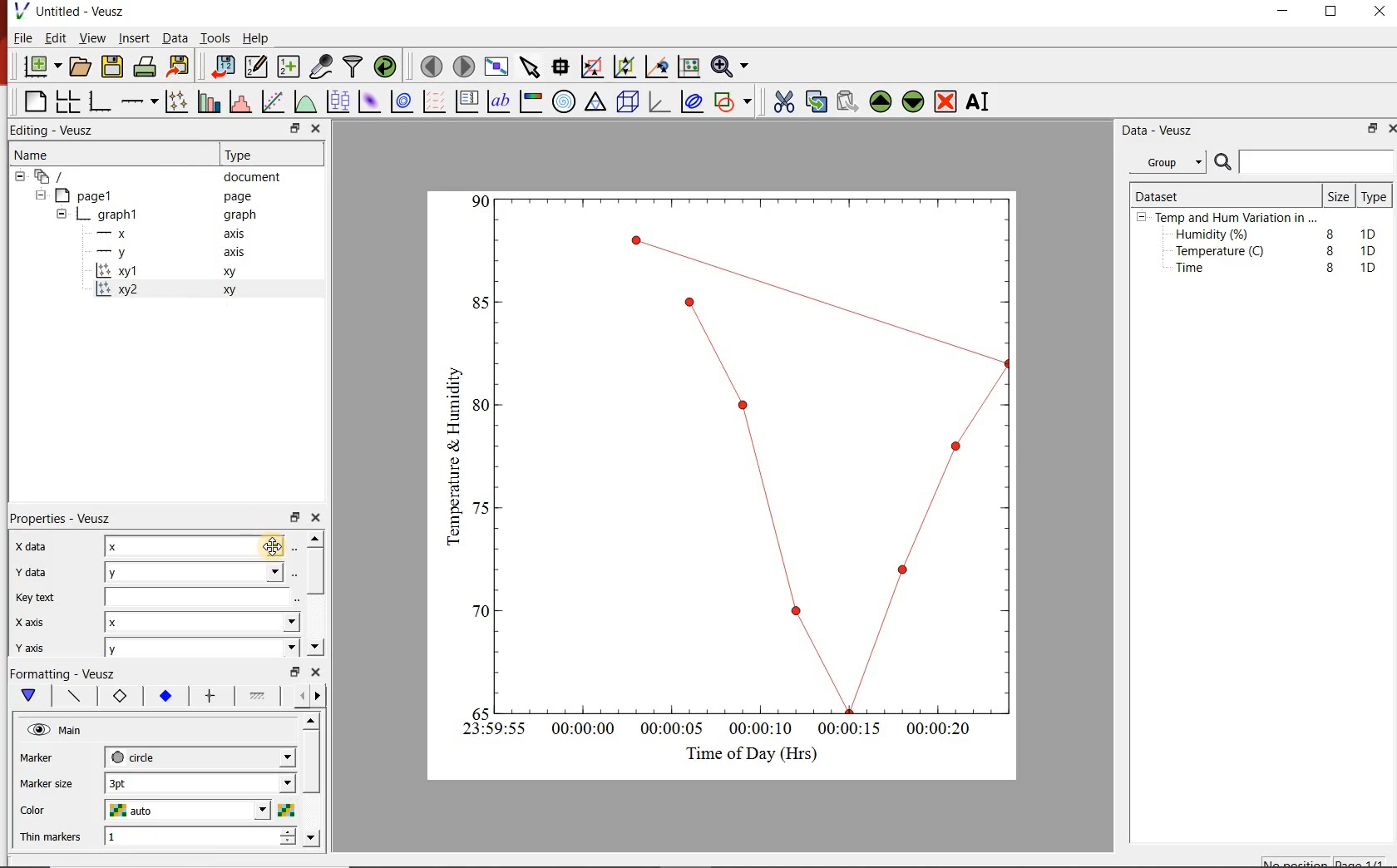  Describe the element at coordinates (850, 727) in the screenshot. I see `00:00:15` at that location.